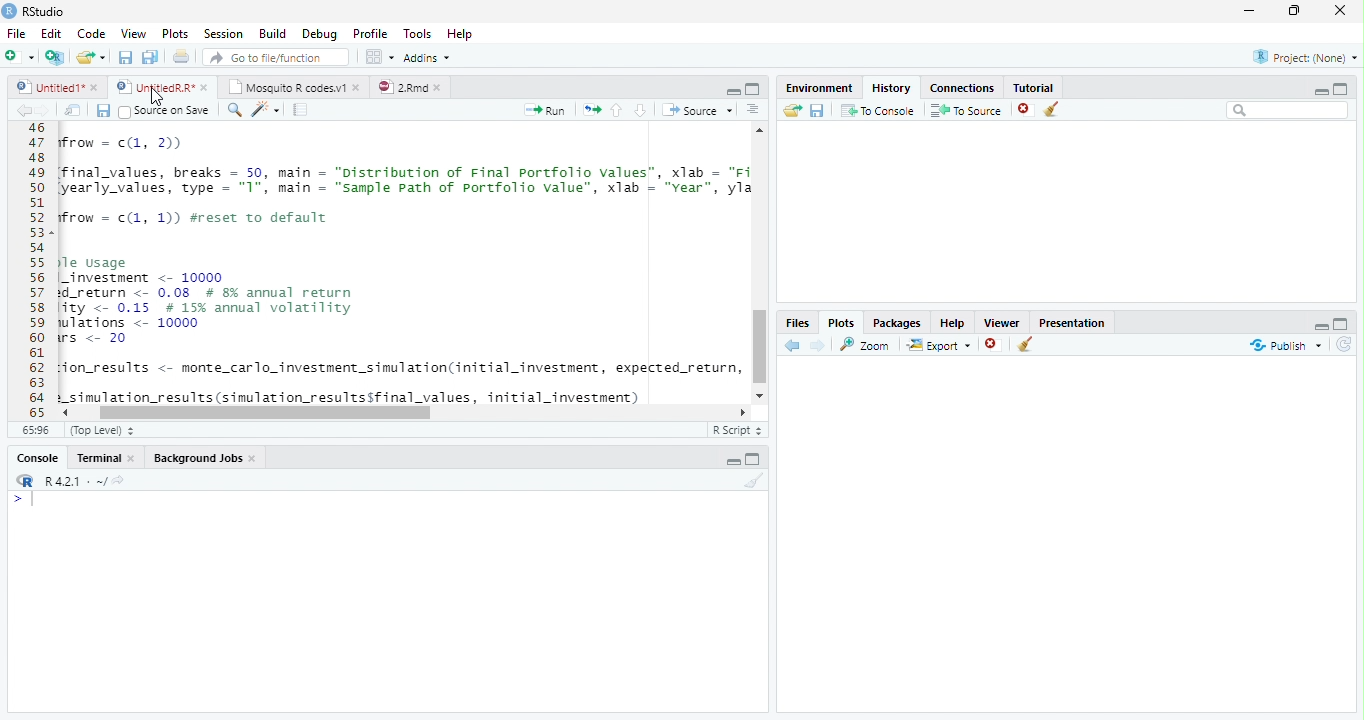 The image size is (1364, 720). Describe the element at coordinates (737, 430) in the screenshot. I see `R Script` at that location.